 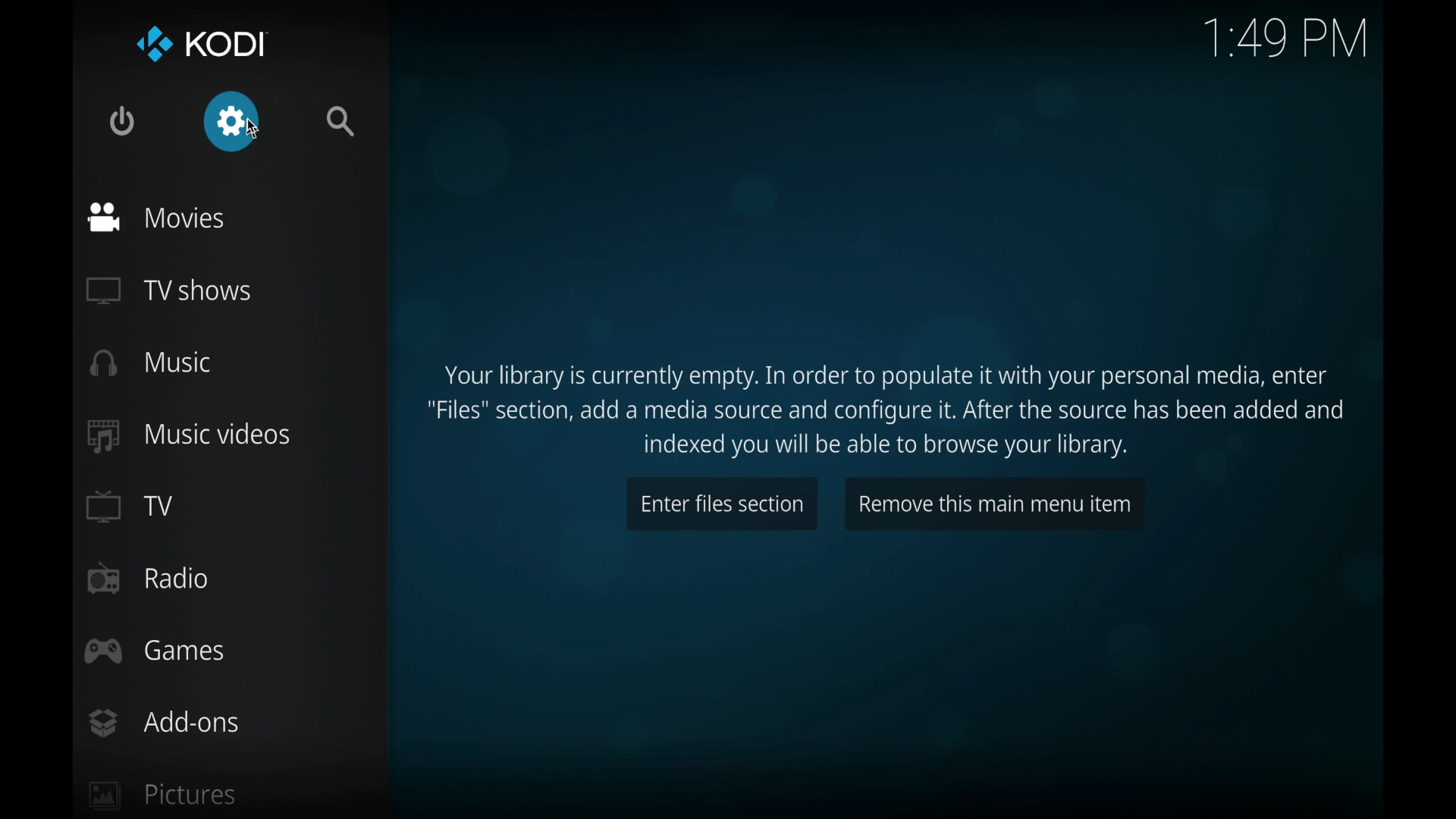 What do you see at coordinates (187, 435) in the screenshot?
I see `music videos` at bounding box center [187, 435].